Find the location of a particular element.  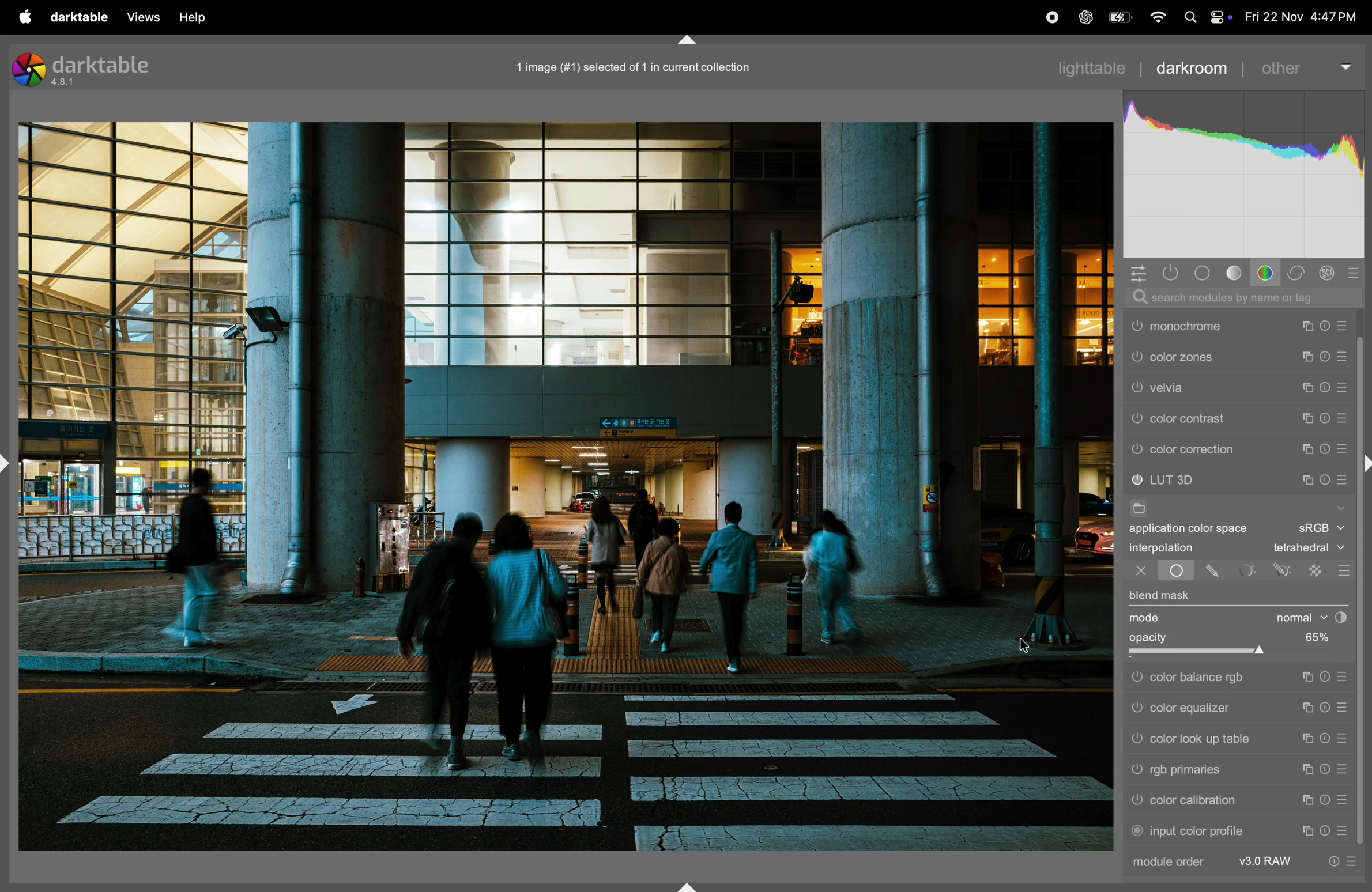

presets is located at coordinates (1344, 384).